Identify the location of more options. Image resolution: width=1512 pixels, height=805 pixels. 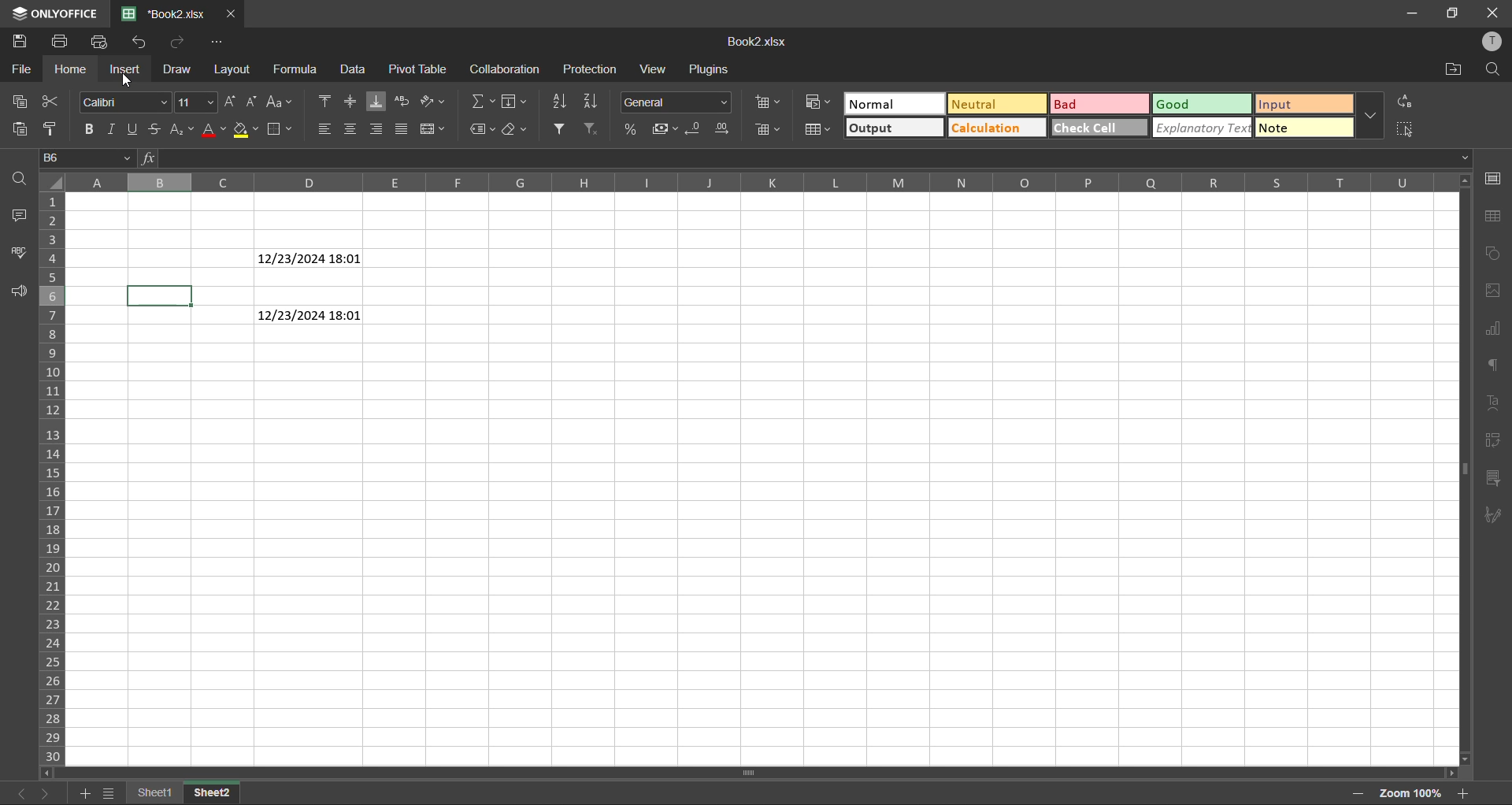
(1370, 118).